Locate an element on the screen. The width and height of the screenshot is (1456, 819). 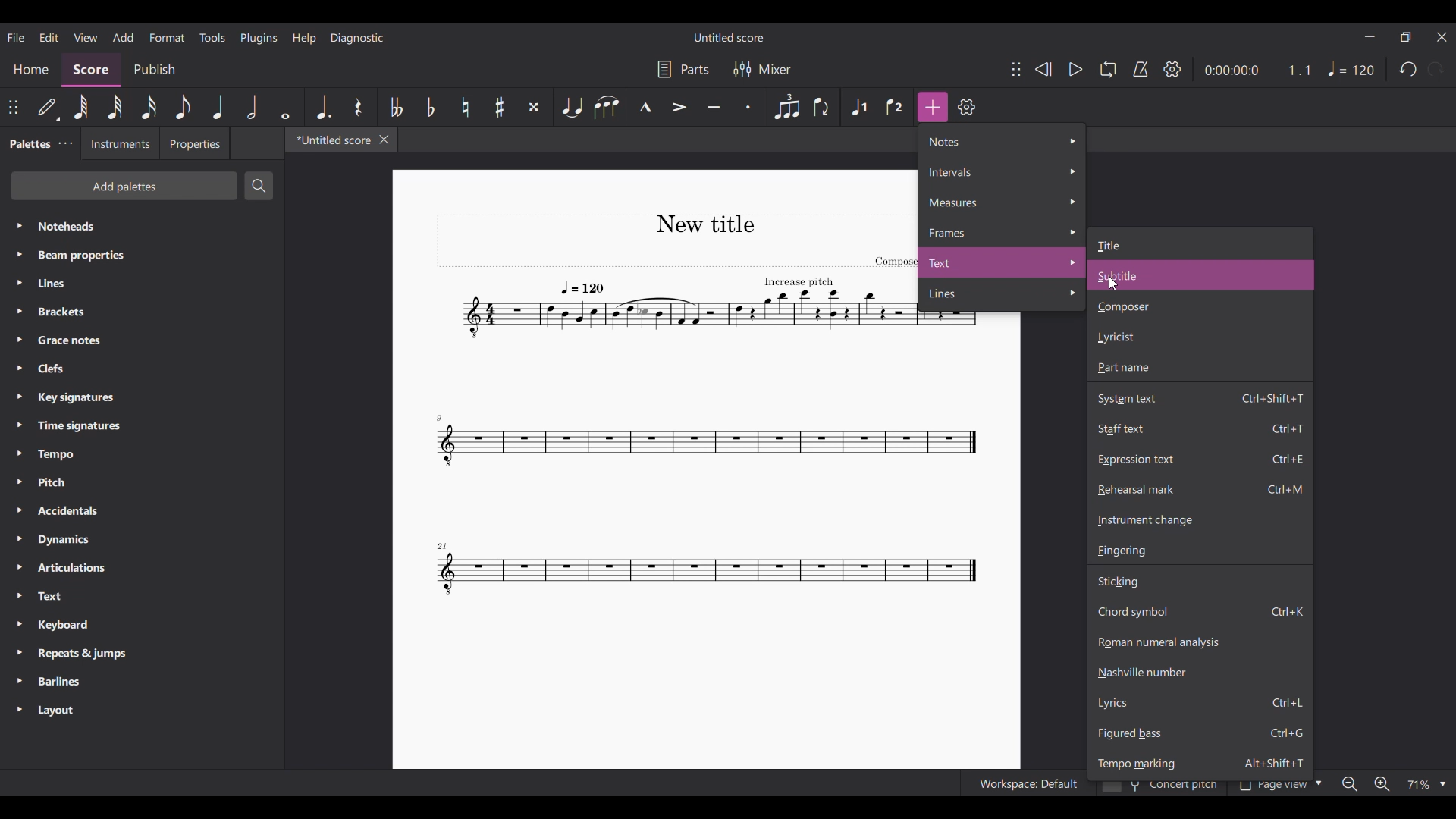
Augmentation dot is located at coordinates (322, 107).